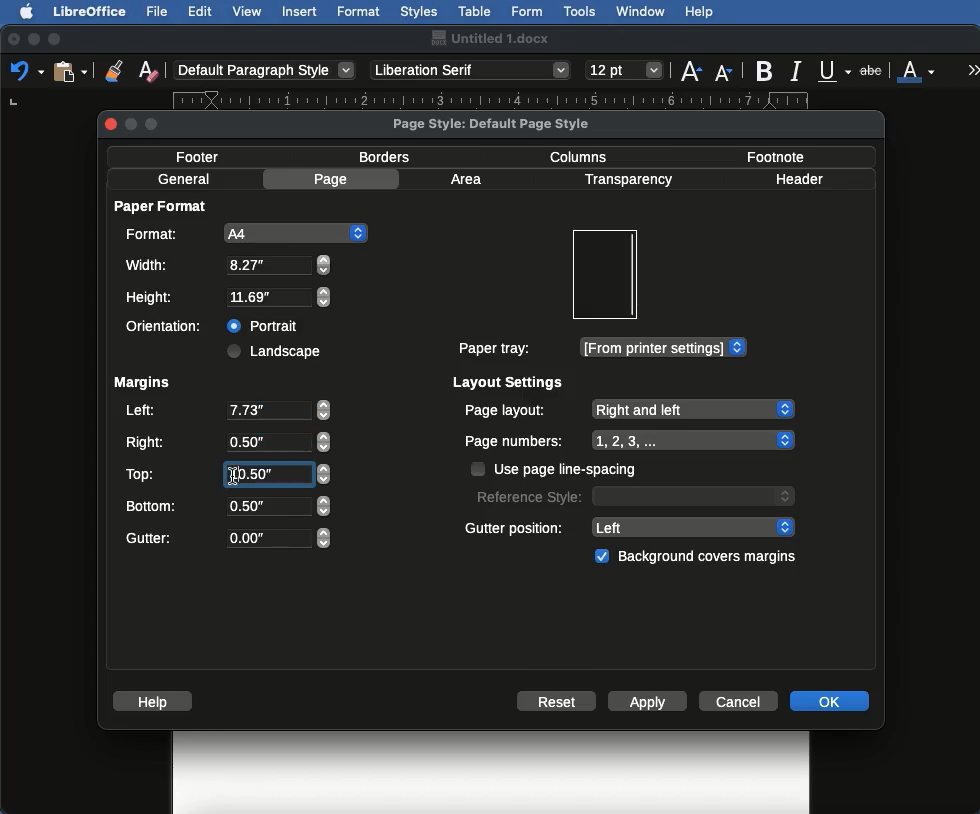 This screenshot has height=814, width=980. What do you see at coordinates (508, 123) in the screenshot?
I see `Page style` at bounding box center [508, 123].